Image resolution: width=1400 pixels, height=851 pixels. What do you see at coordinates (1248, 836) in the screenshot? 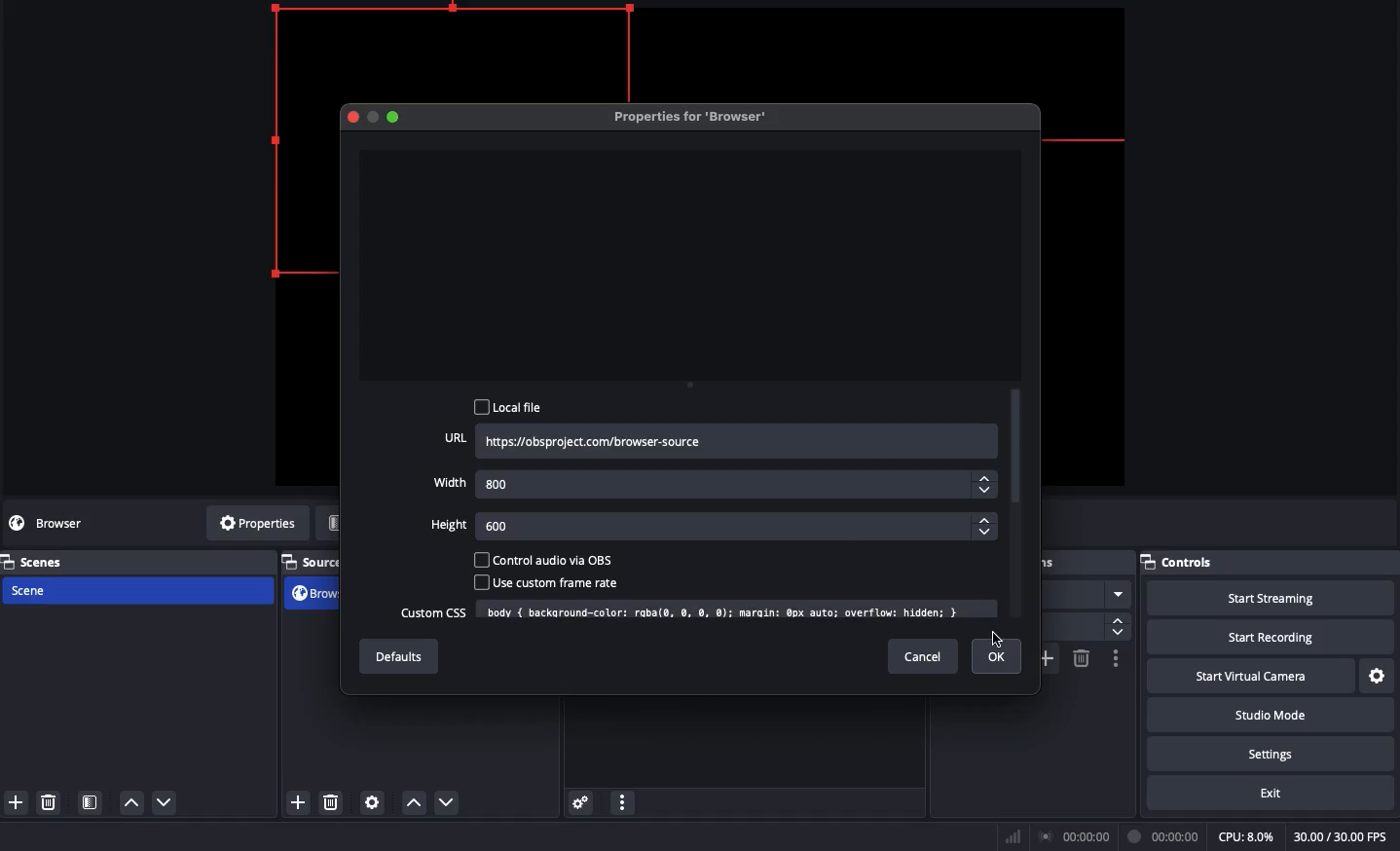
I see `CPU` at bounding box center [1248, 836].